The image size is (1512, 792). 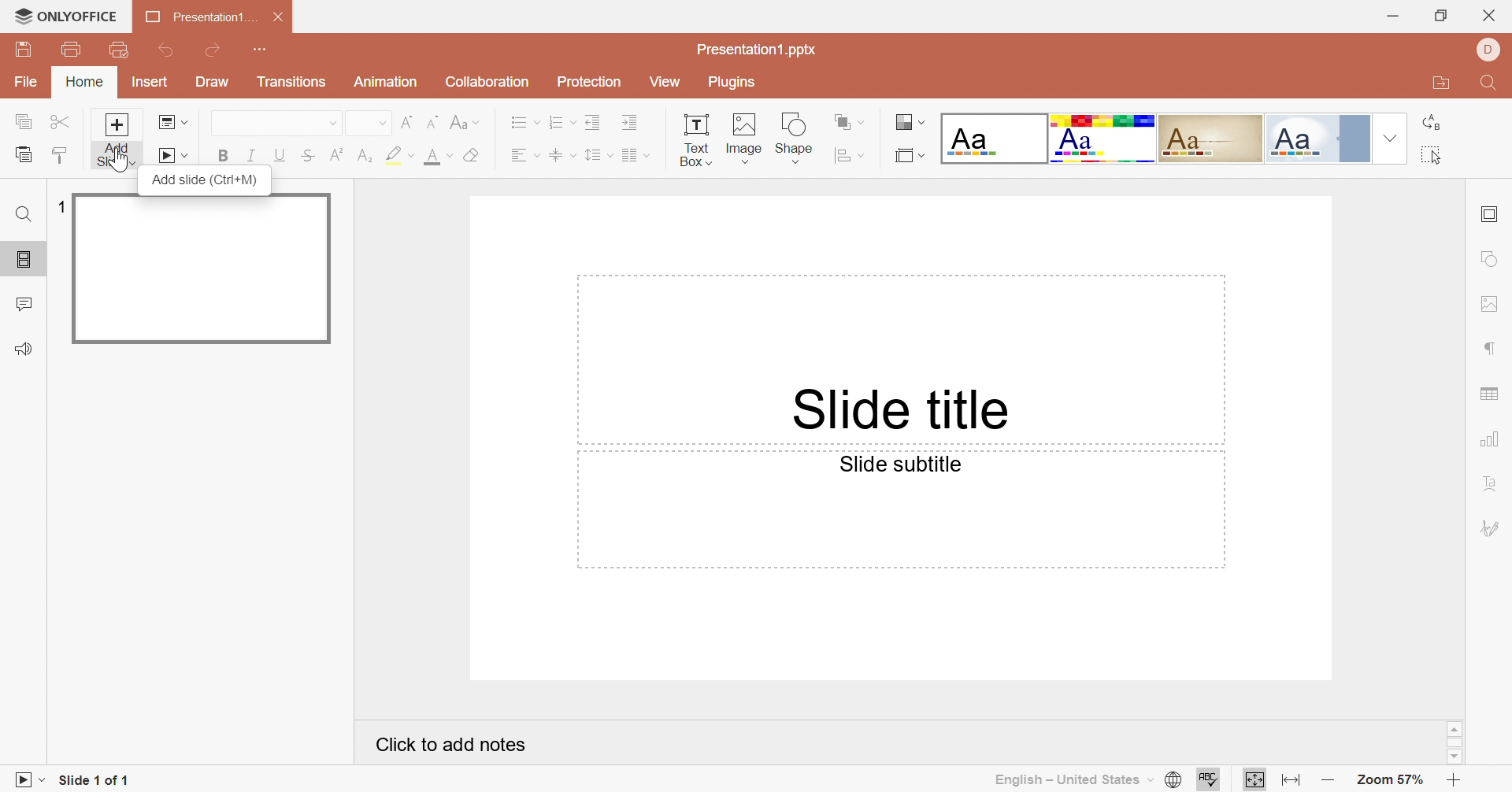 I want to click on Italic, so click(x=253, y=154).